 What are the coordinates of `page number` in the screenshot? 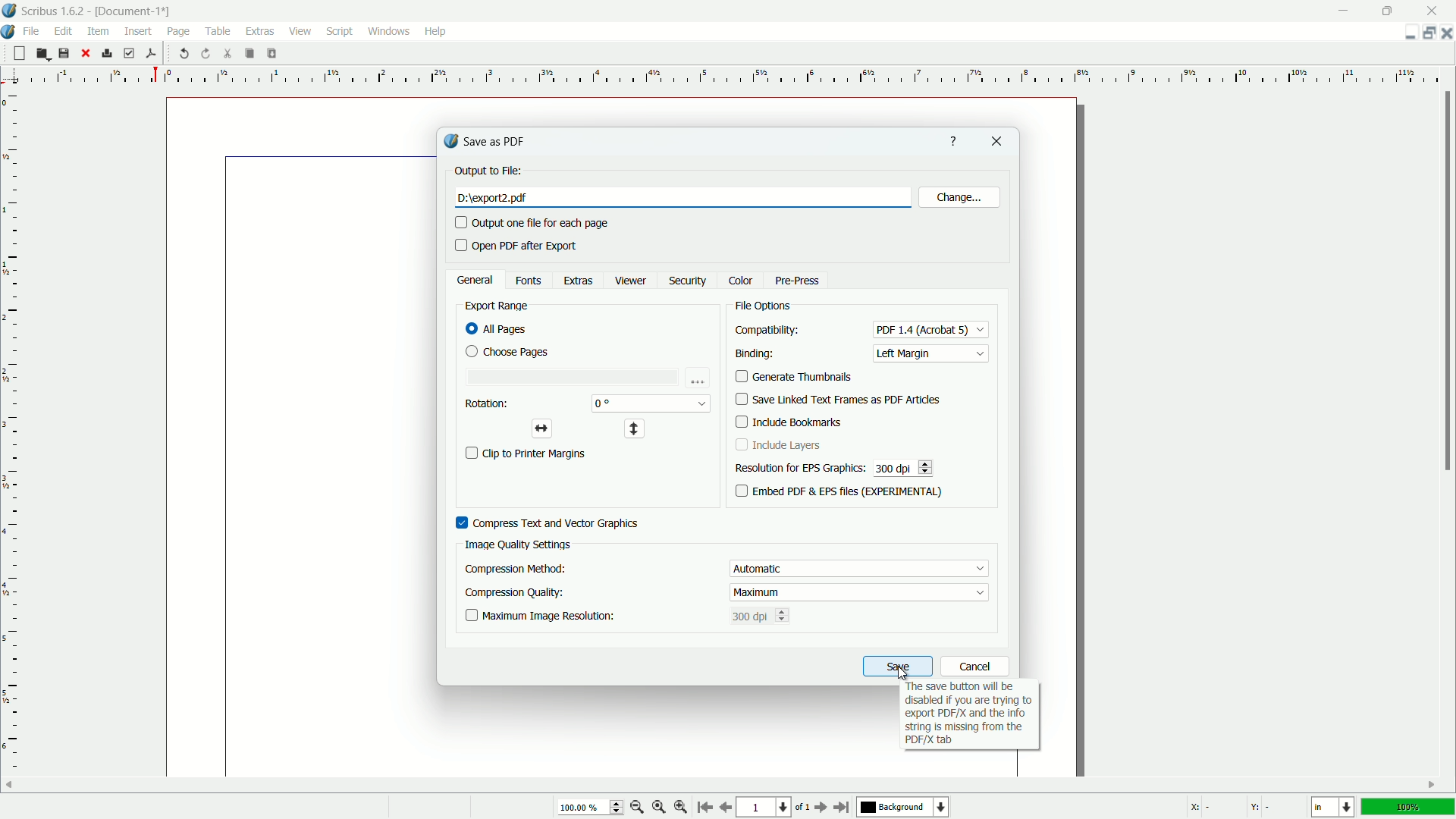 It's located at (766, 808).